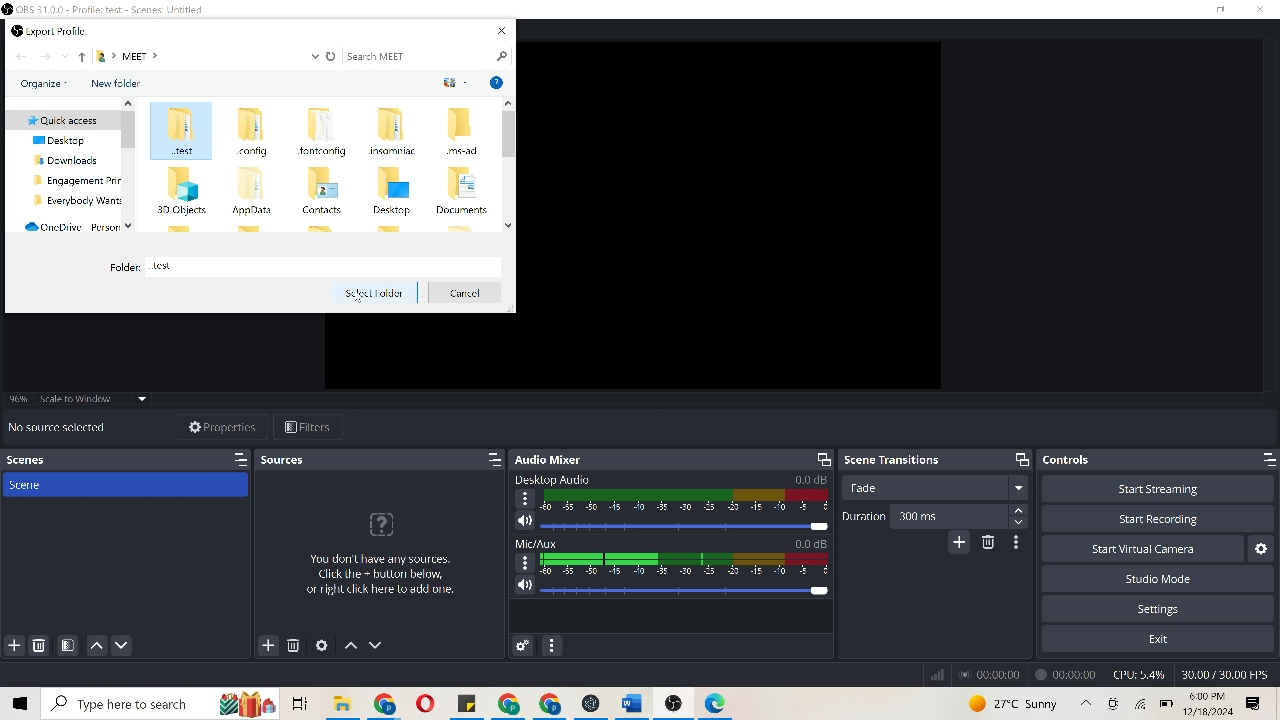  Describe the element at coordinates (179, 191) in the screenshot. I see `3D object` at that location.